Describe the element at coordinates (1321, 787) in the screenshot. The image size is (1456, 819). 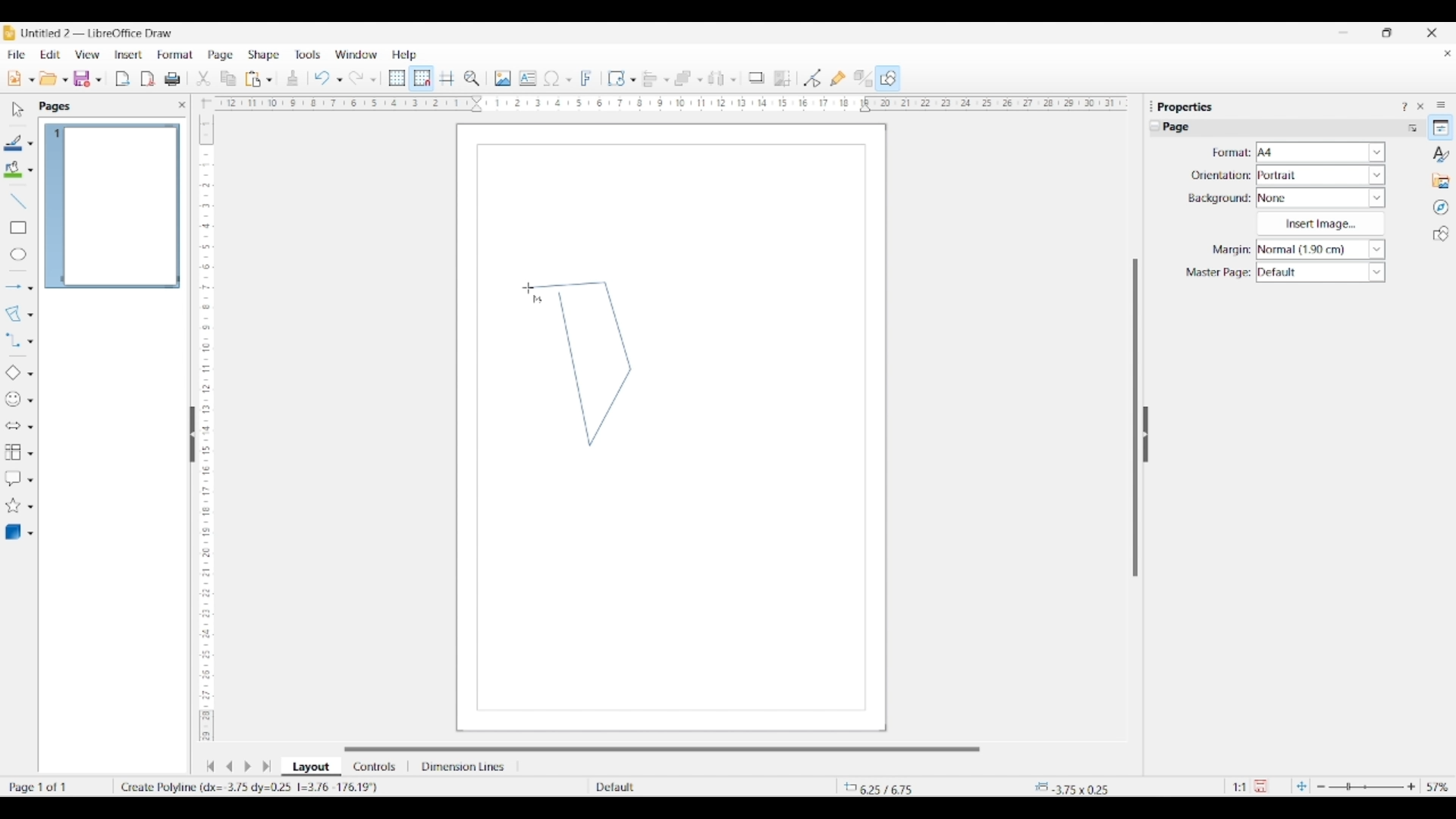
I see `Zoom out` at that location.